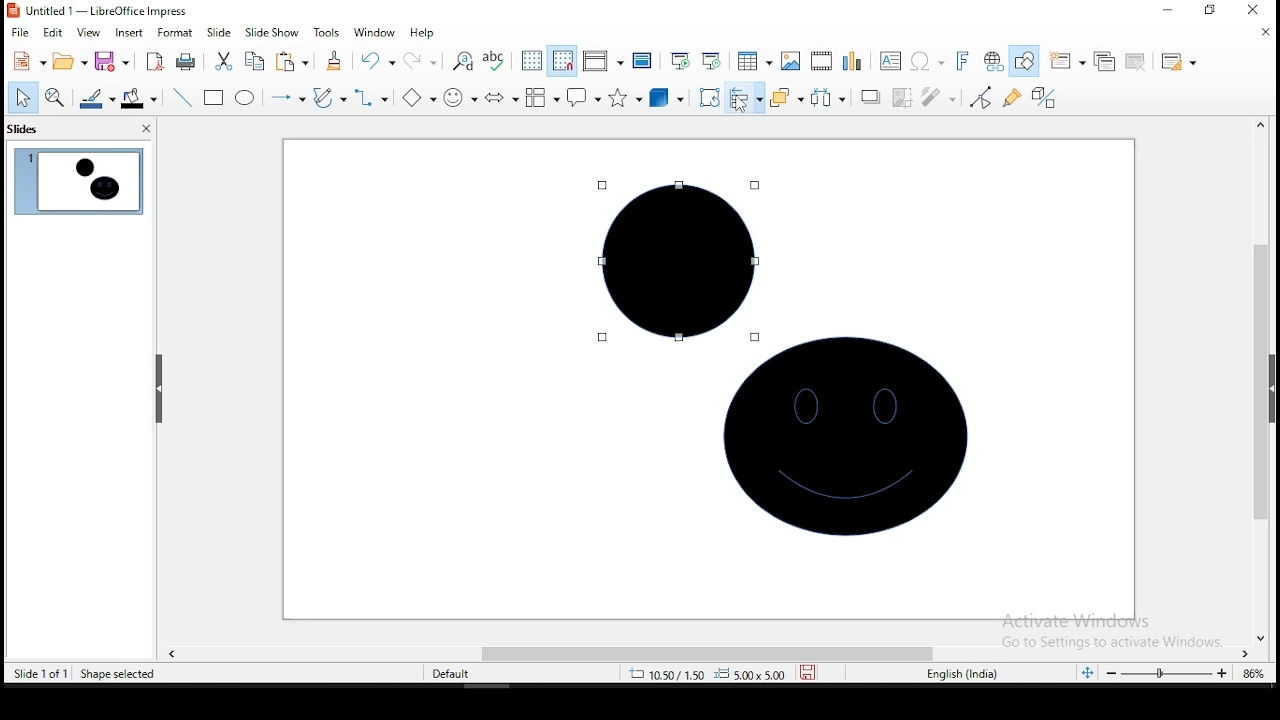  I want to click on paste, so click(292, 63).